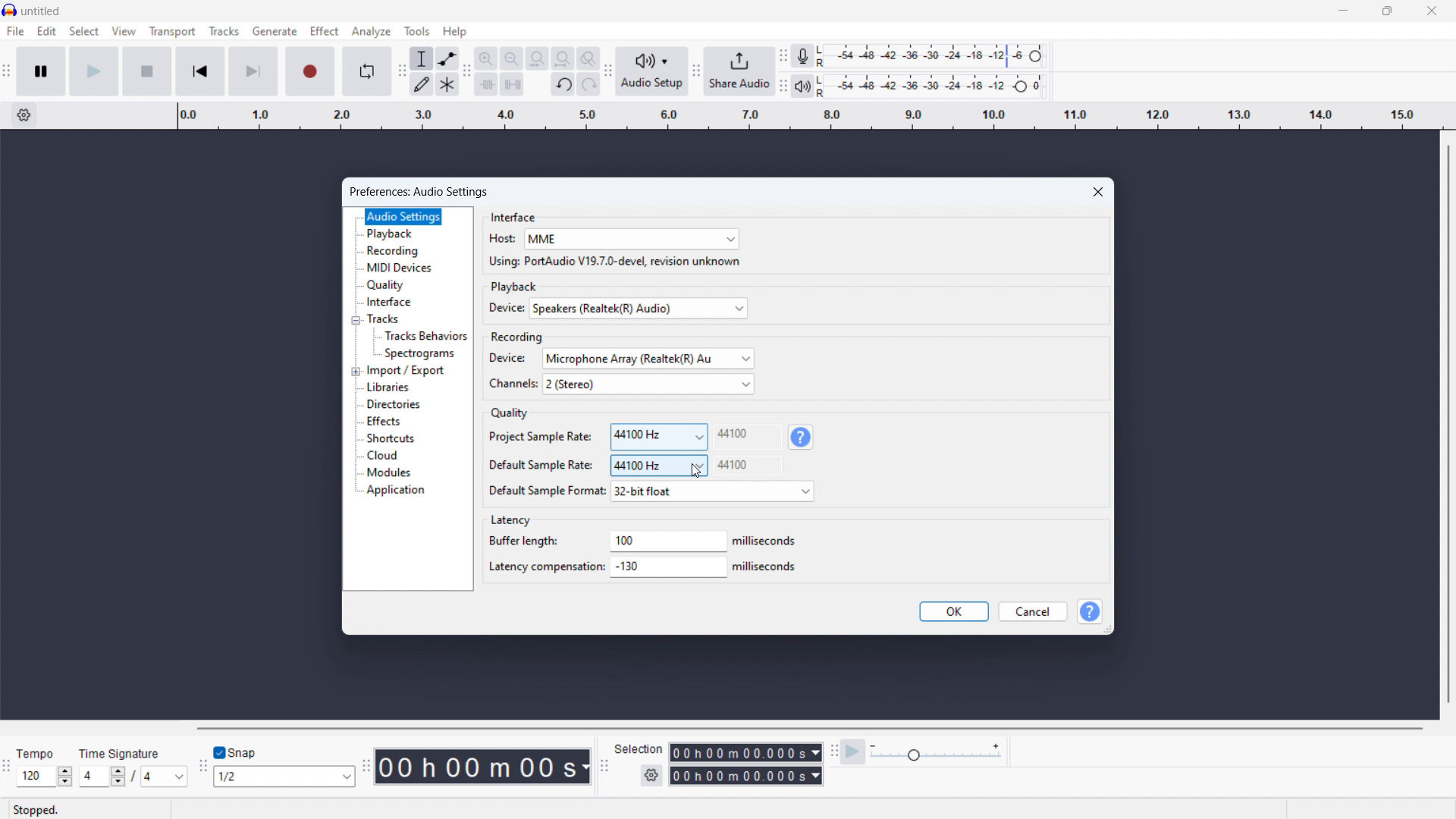  Describe the element at coordinates (651, 775) in the screenshot. I see `selection settings` at that location.